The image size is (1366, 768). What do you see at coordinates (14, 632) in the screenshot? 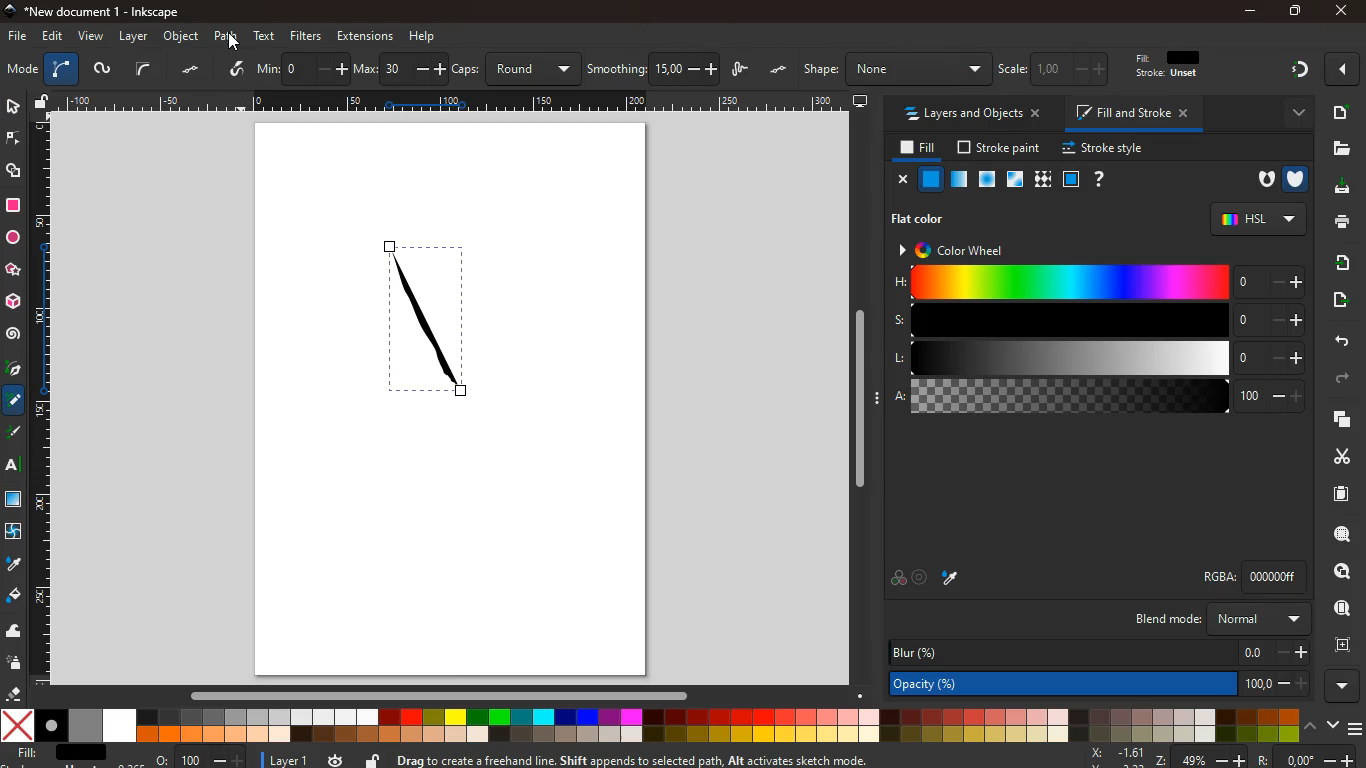
I see `wave` at bounding box center [14, 632].